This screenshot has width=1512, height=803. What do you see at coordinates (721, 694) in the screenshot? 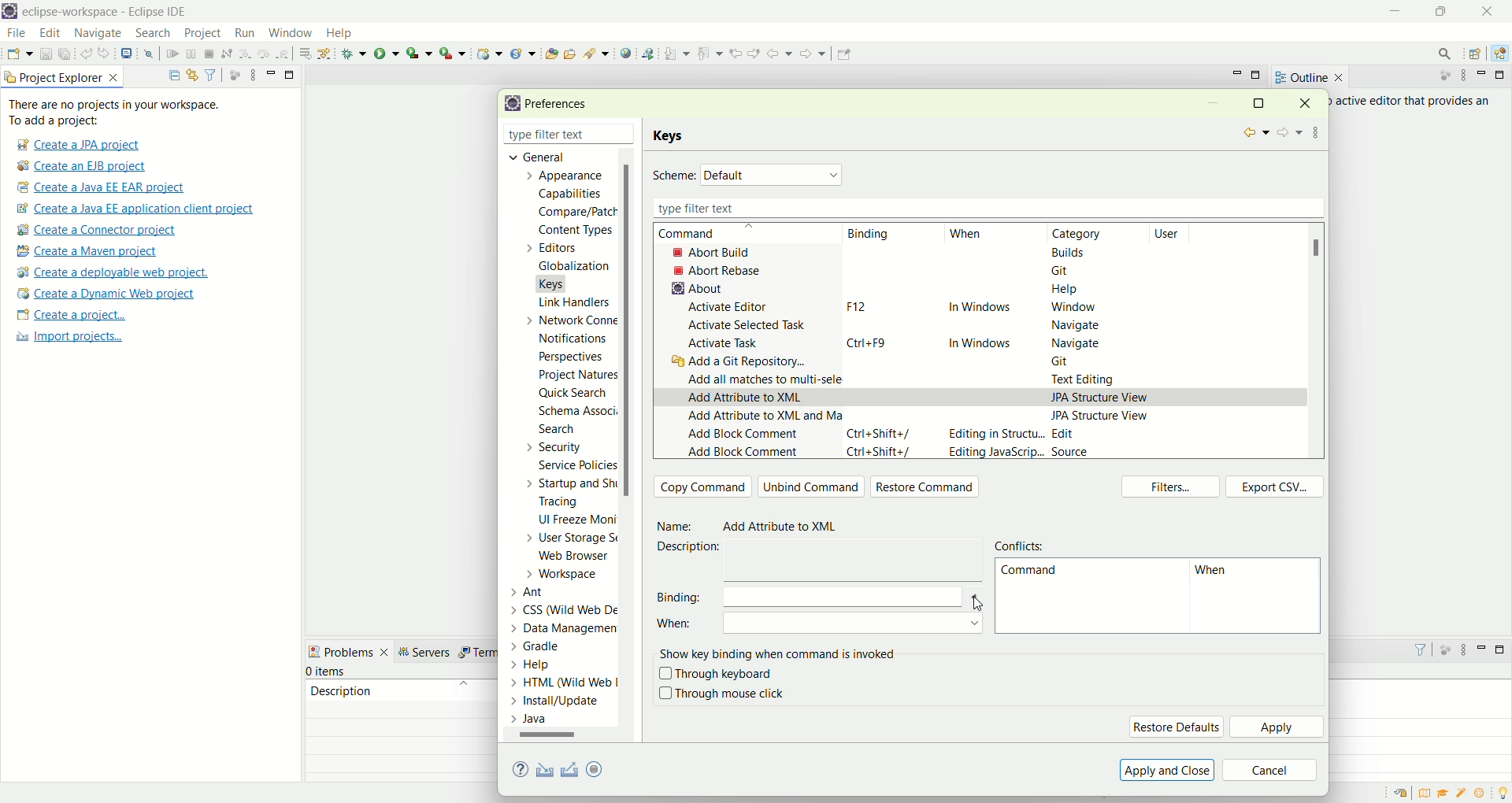
I see `through mouse click` at bounding box center [721, 694].